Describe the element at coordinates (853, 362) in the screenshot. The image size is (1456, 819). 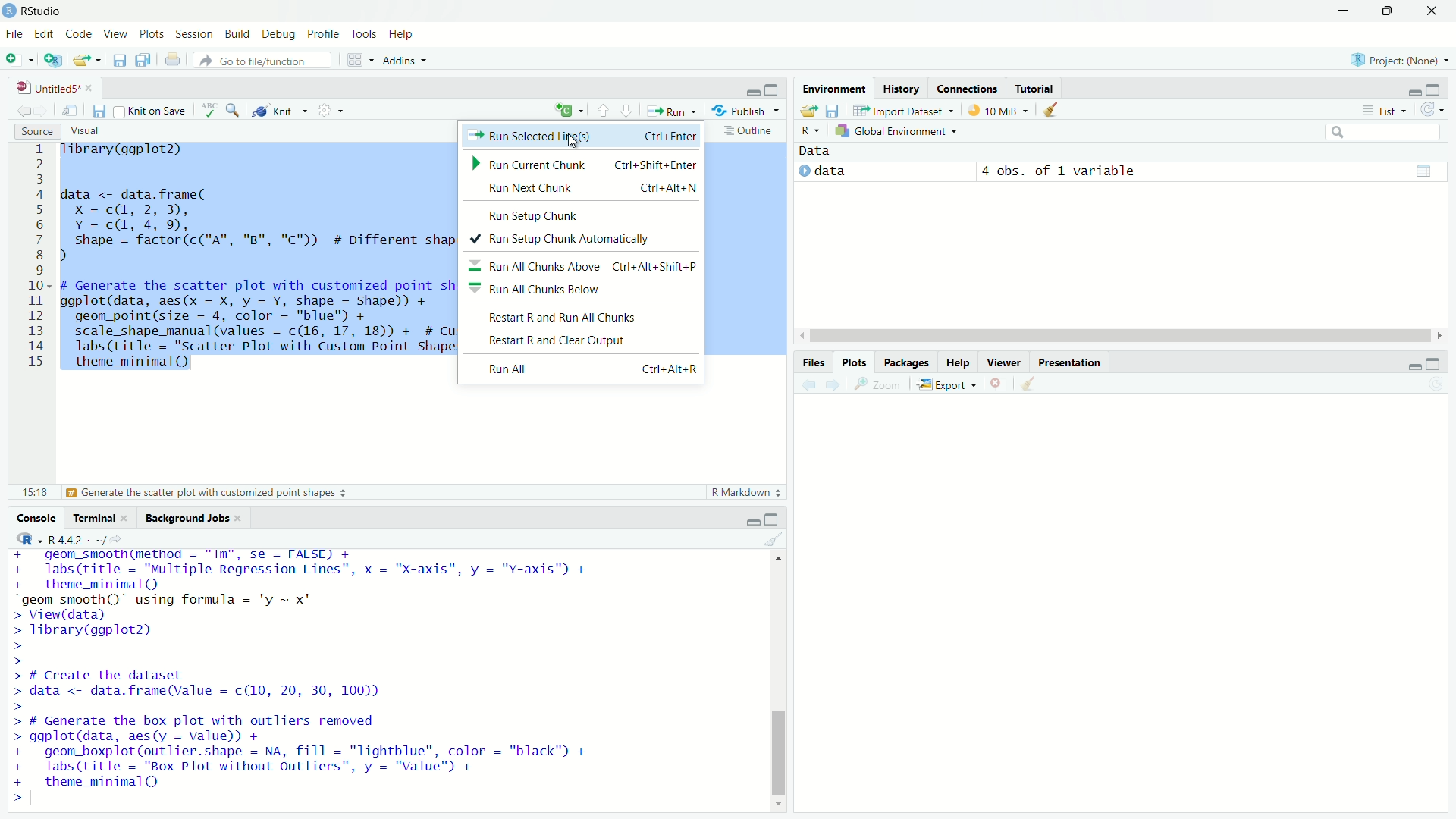
I see `Plots` at that location.